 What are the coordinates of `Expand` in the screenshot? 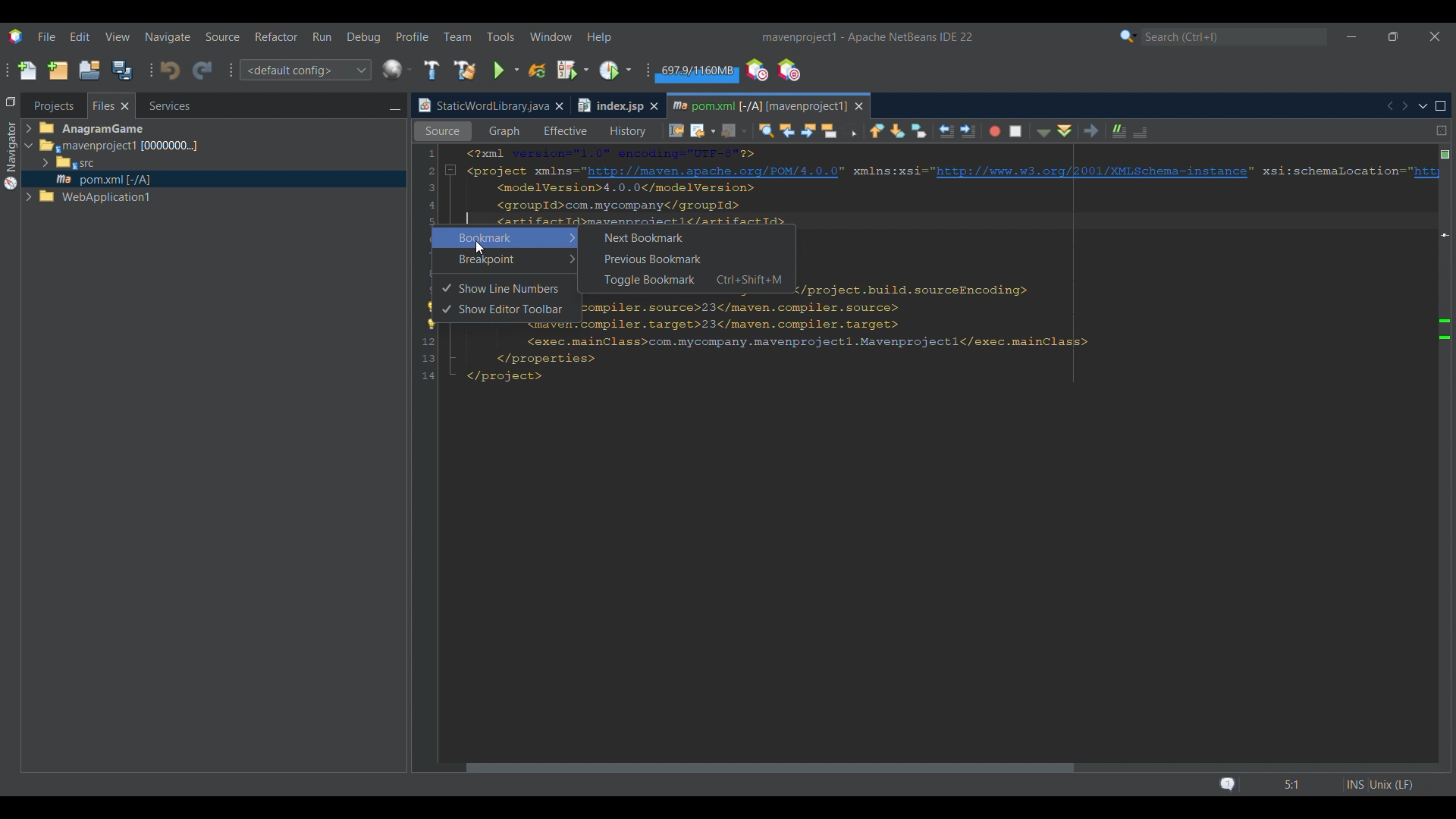 It's located at (31, 165).